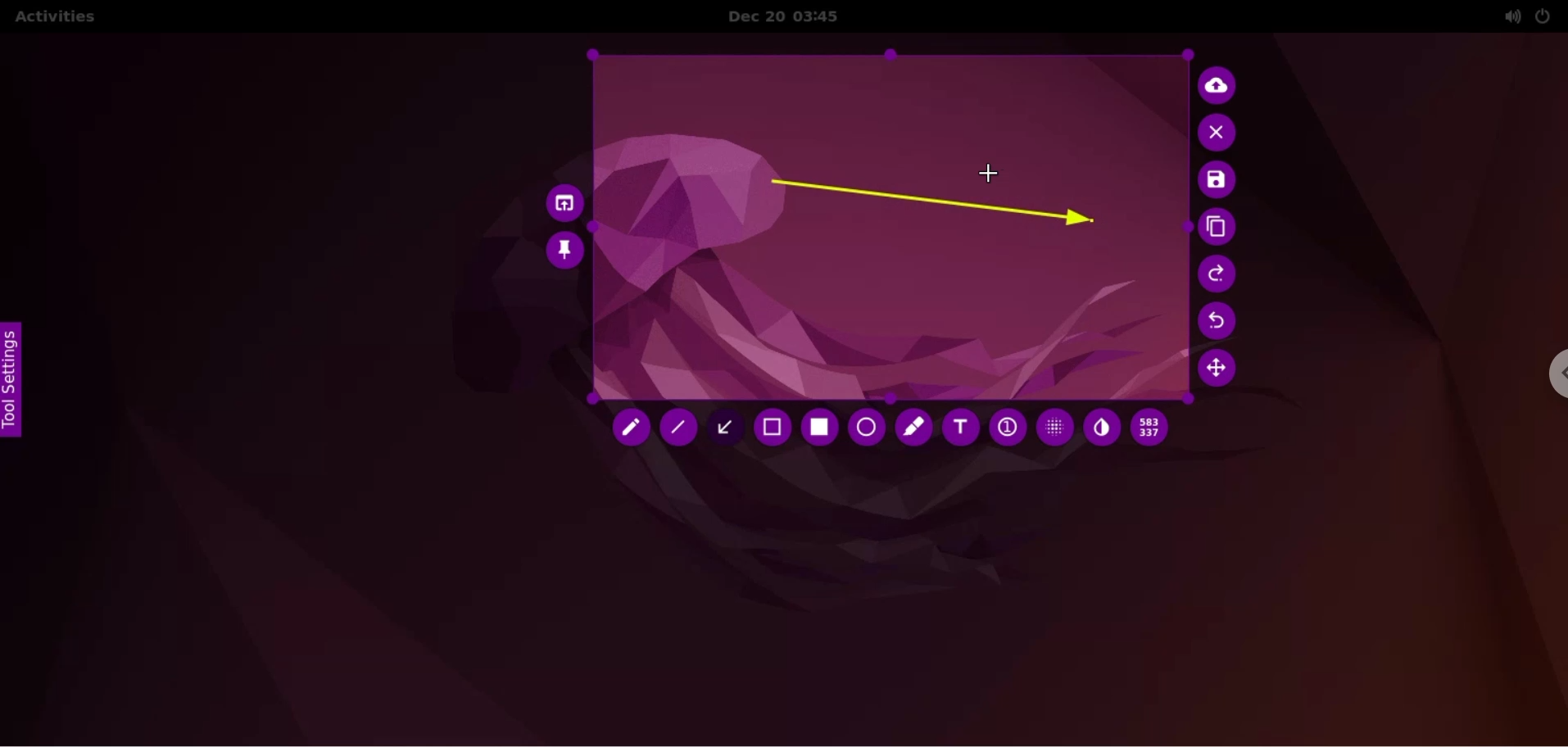 Image resolution: width=1568 pixels, height=747 pixels. I want to click on copy to clipboard, so click(1220, 229).